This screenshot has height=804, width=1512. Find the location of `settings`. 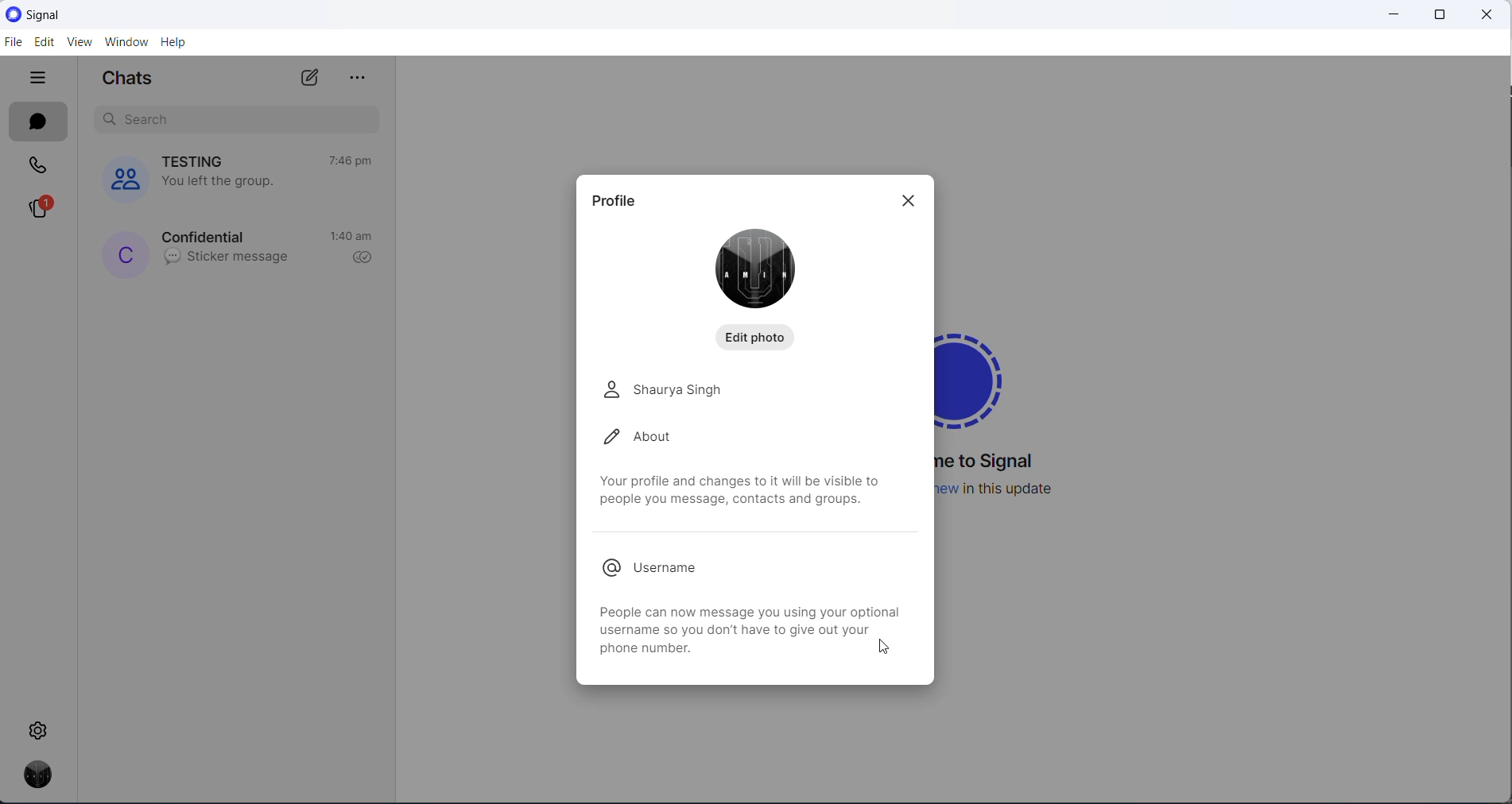

settings is located at coordinates (41, 729).